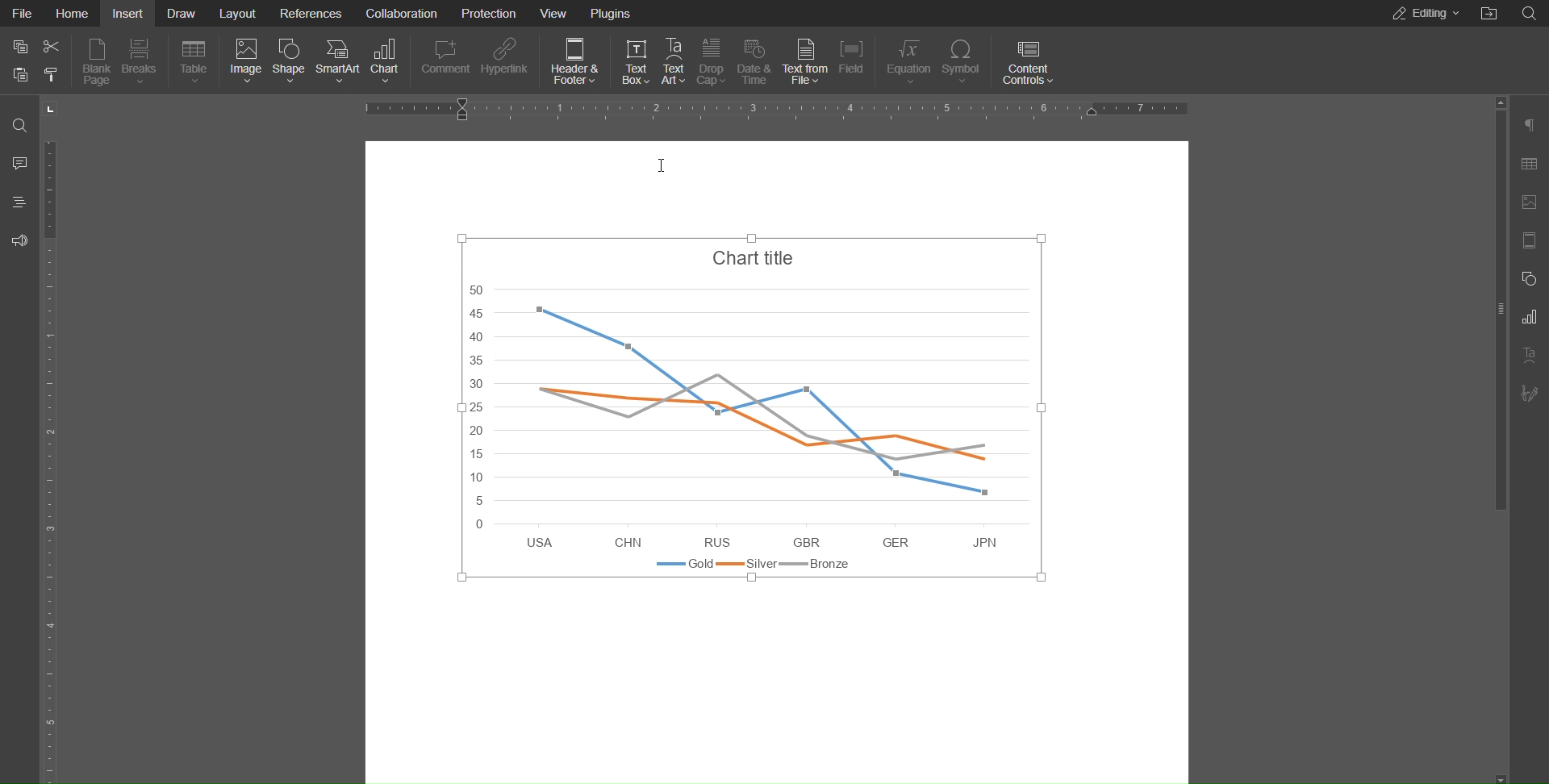 This screenshot has height=784, width=1549. Describe the element at coordinates (1529, 355) in the screenshot. I see `Text Art` at that location.